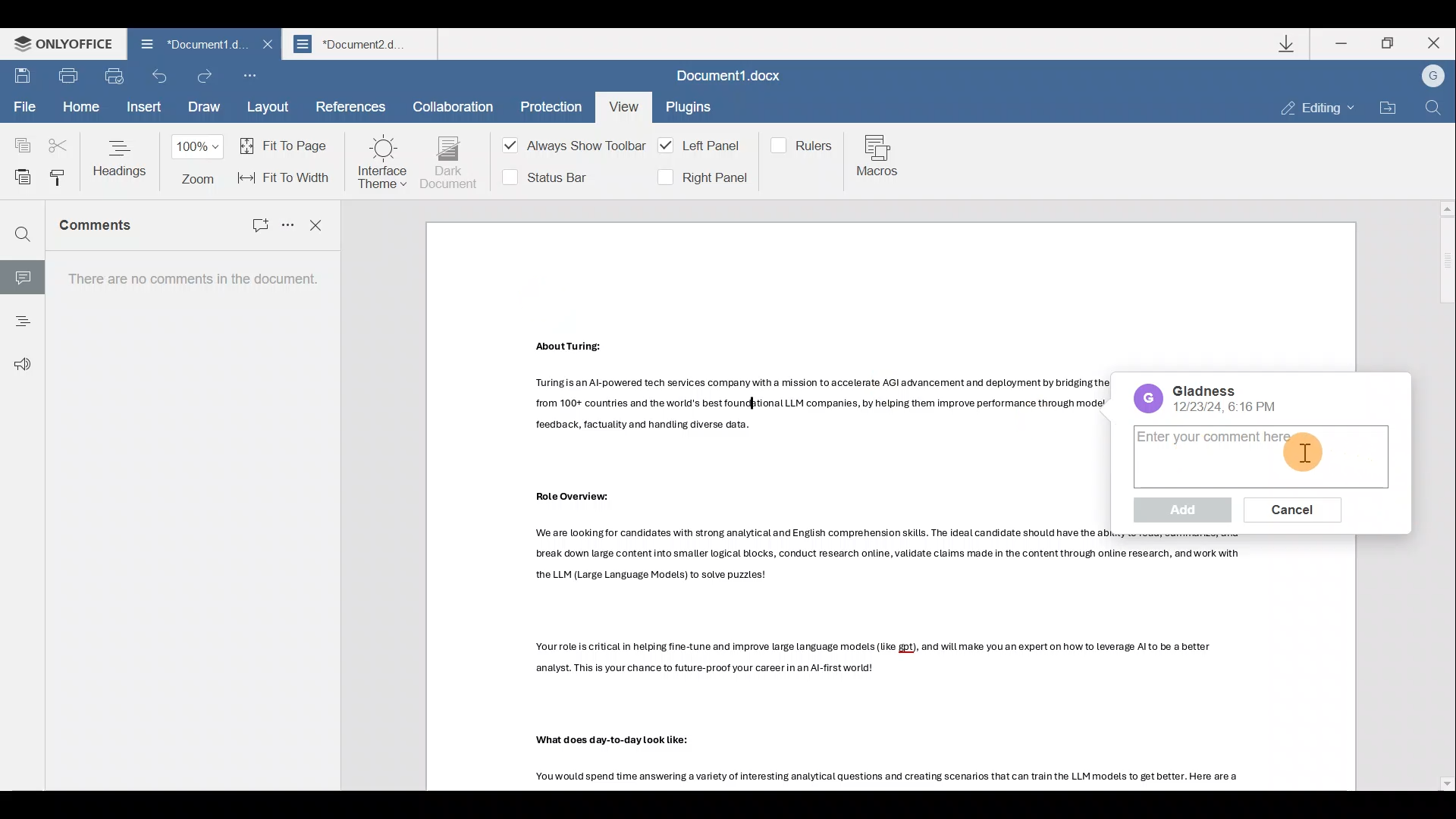 The height and width of the screenshot is (819, 1456). Describe the element at coordinates (887, 777) in the screenshot. I see `` at that location.